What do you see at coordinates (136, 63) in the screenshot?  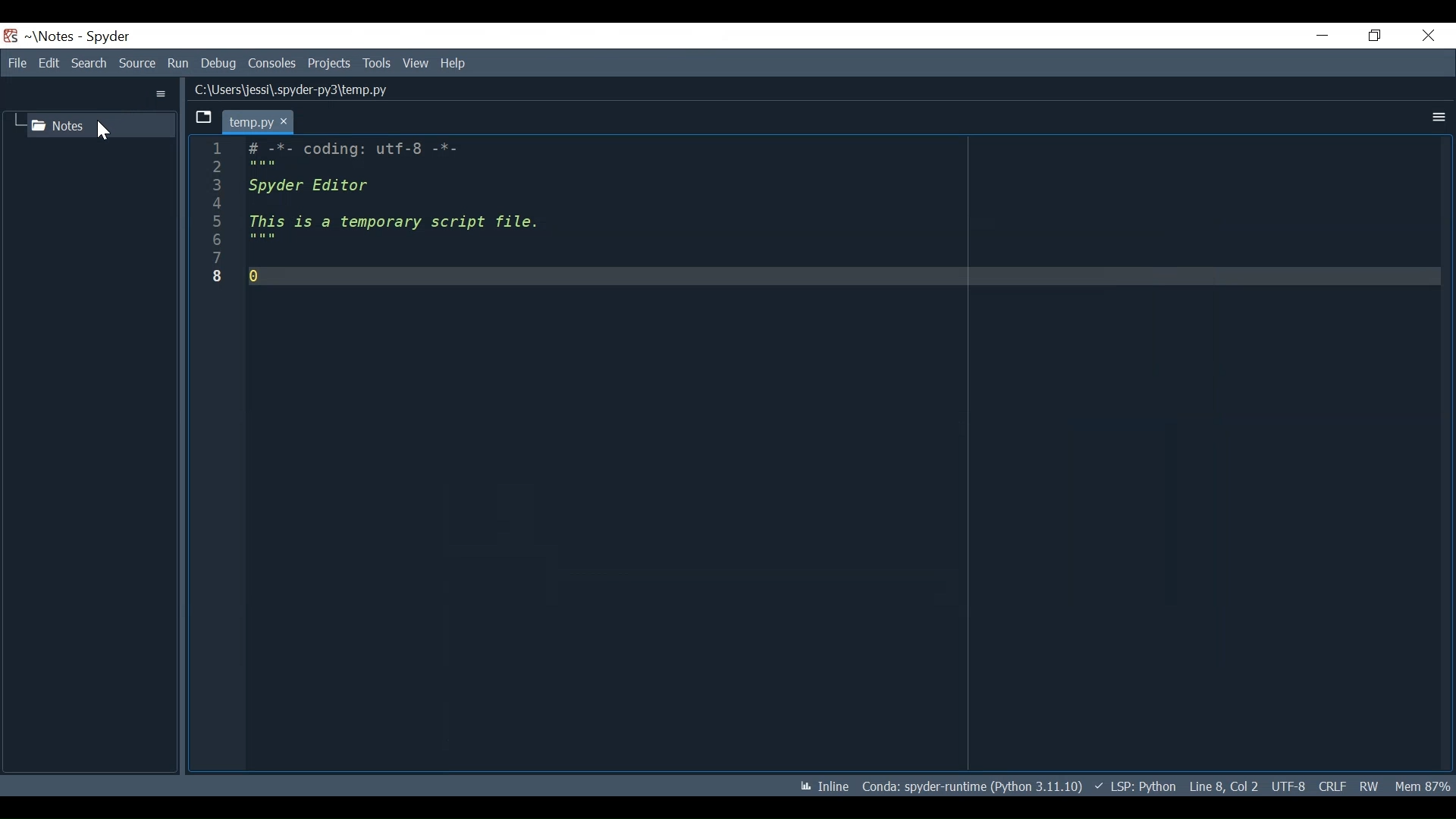 I see `Source` at bounding box center [136, 63].